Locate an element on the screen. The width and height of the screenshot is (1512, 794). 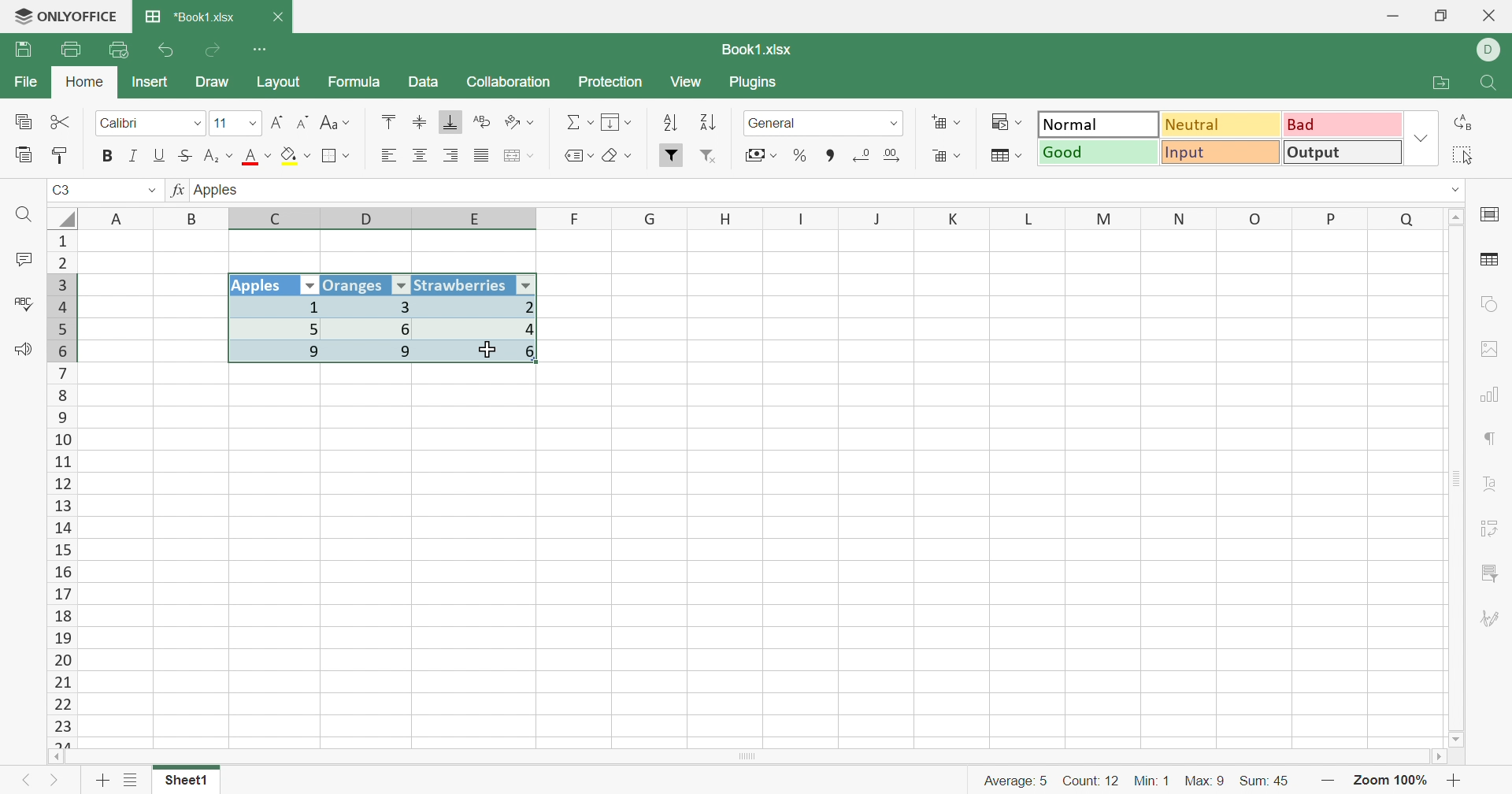
6 is located at coordinates (485, 357).